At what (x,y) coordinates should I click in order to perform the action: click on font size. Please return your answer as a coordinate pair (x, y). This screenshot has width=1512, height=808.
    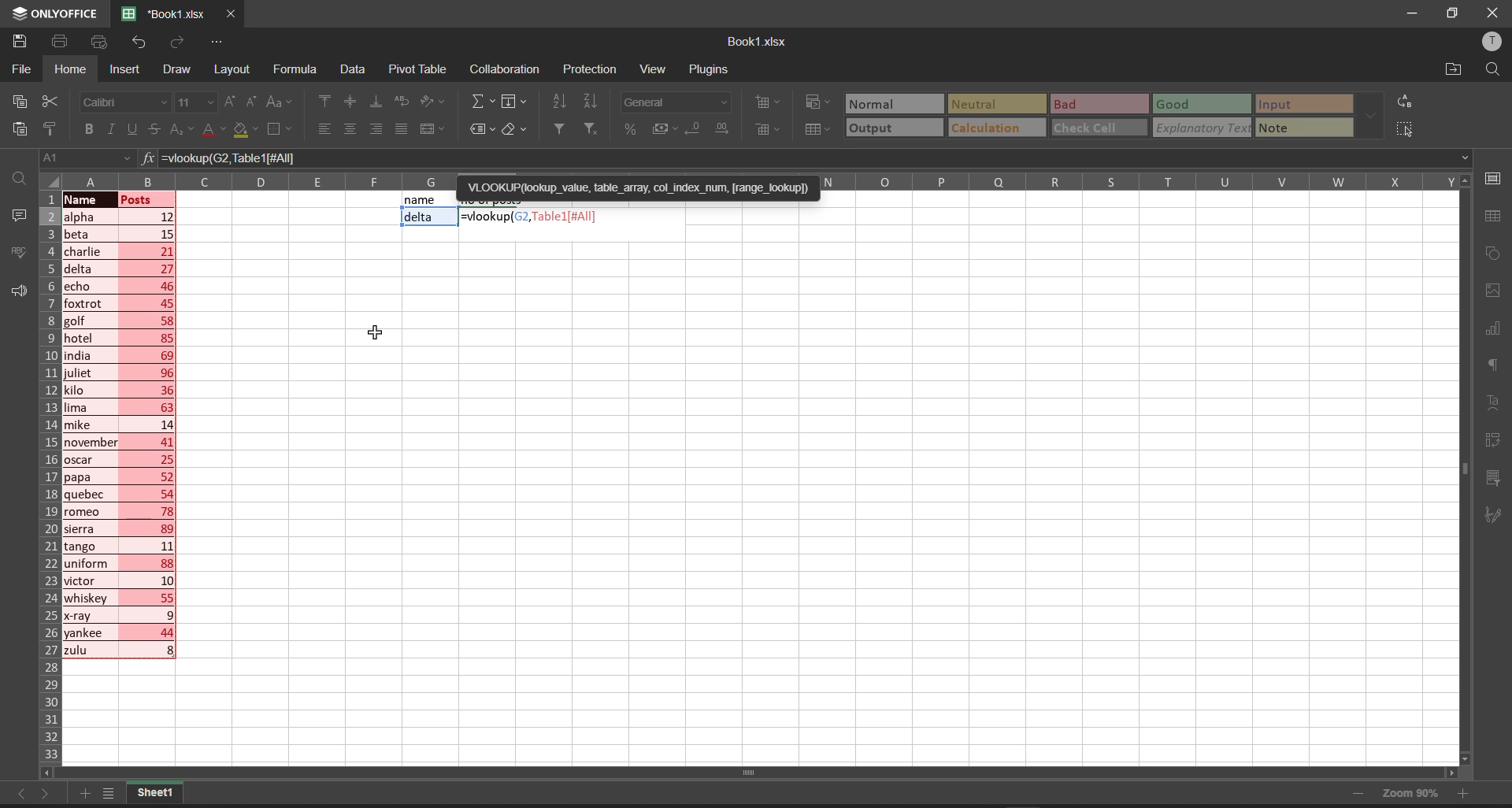
    Looking at the image, I should click on (196, 102).